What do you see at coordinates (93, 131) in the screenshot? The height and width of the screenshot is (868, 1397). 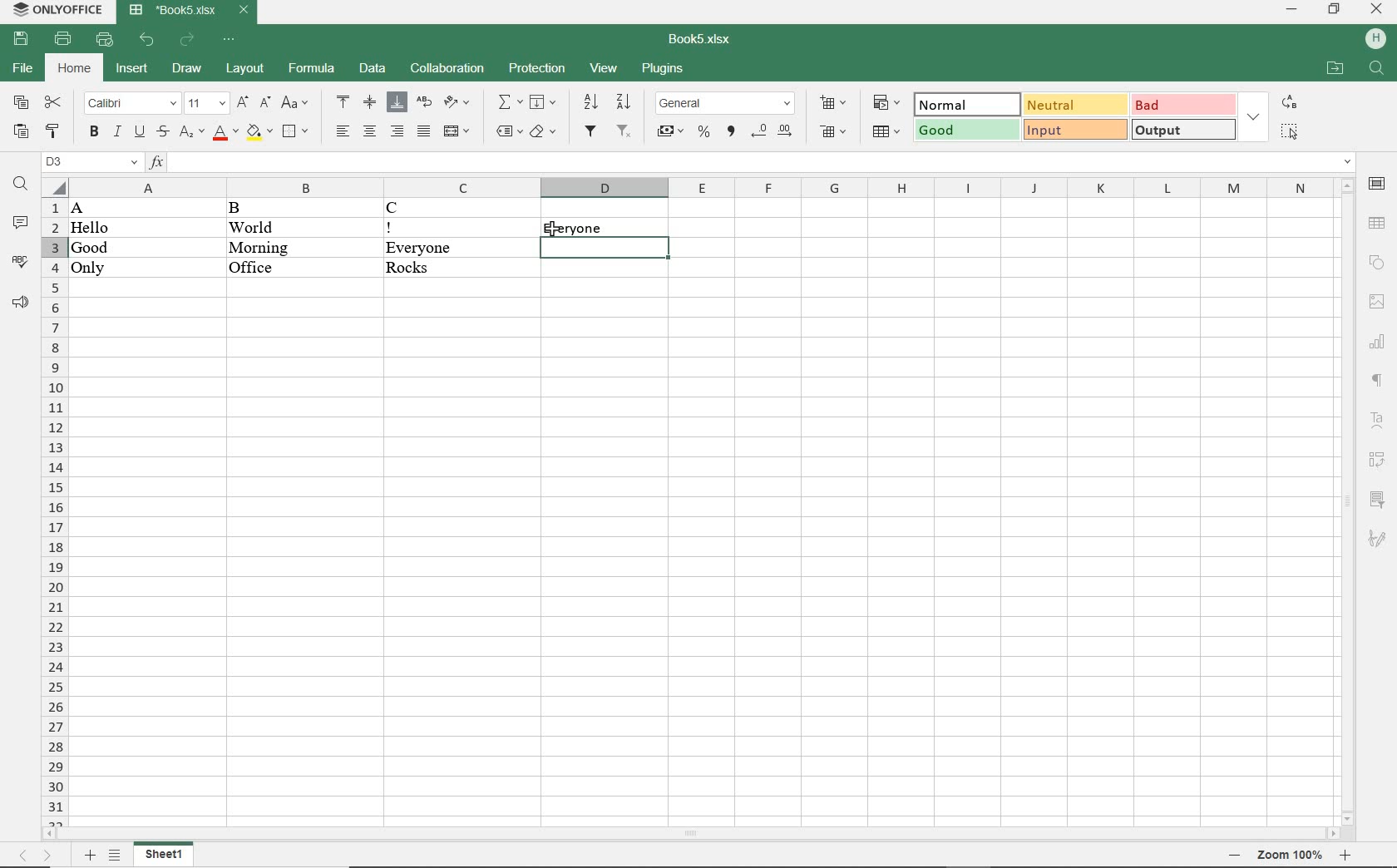 I see `bold` at bounding box center [93, 131].